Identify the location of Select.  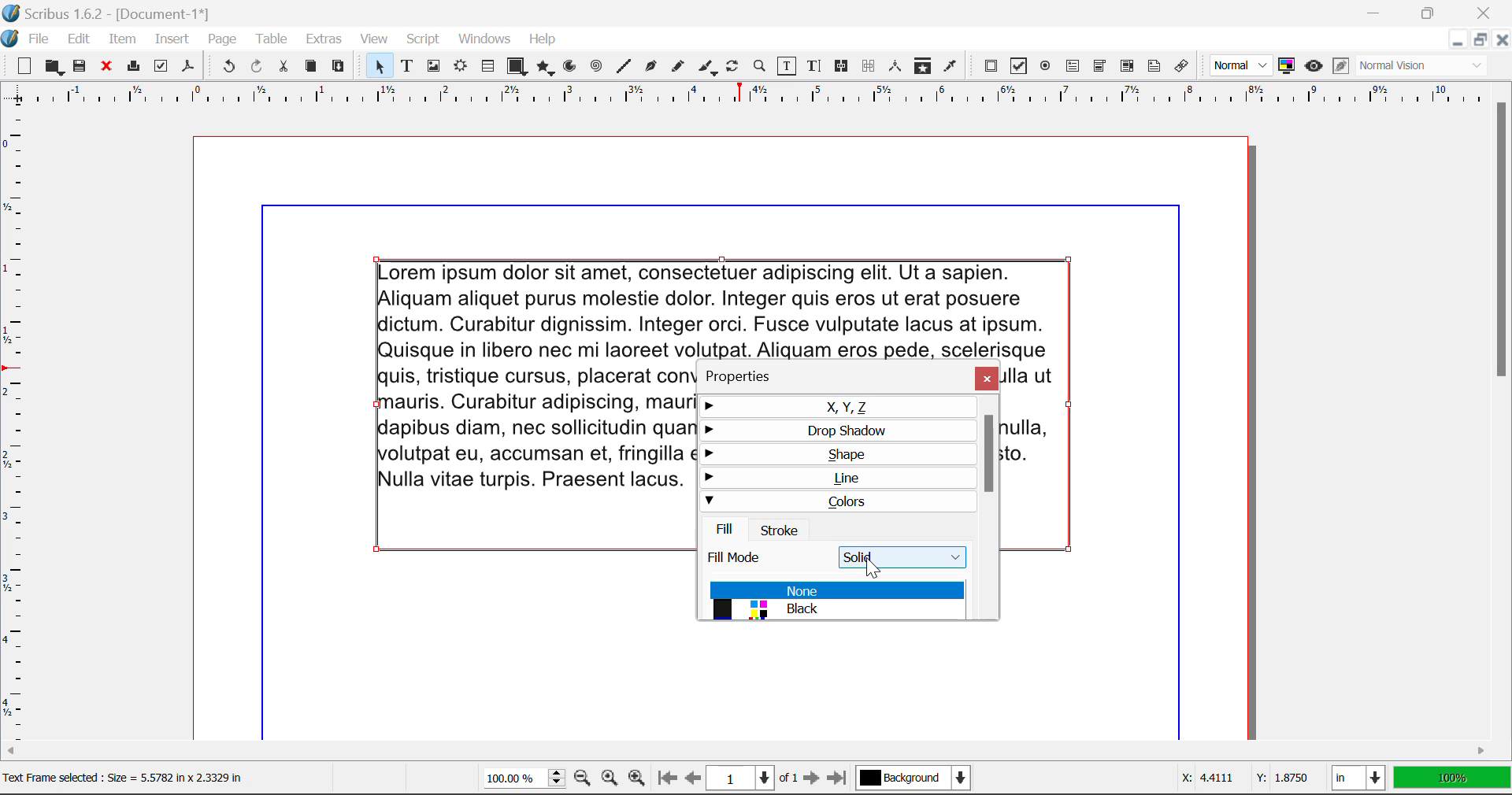
(378, 66).